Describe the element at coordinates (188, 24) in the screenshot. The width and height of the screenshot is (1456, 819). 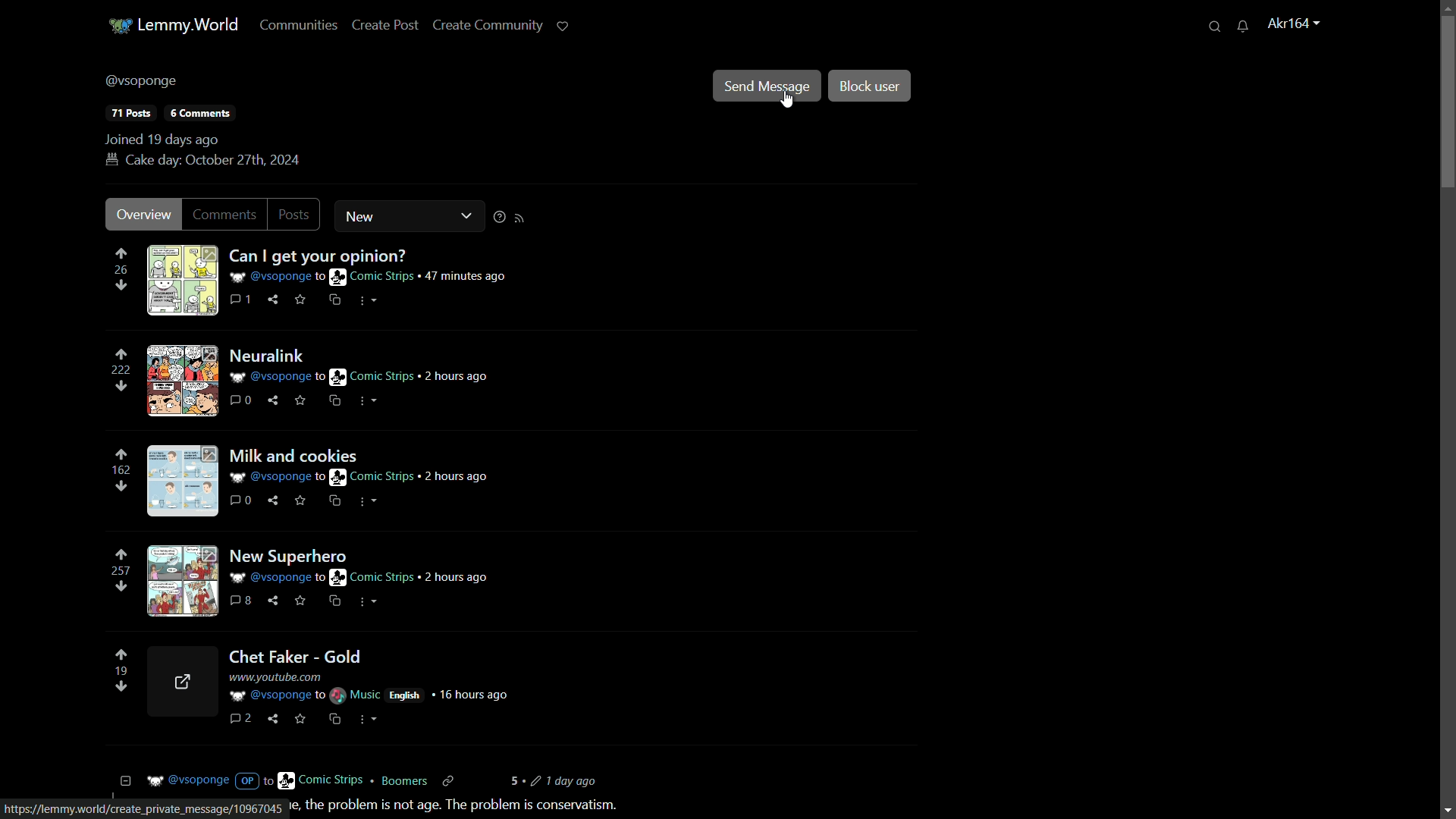
I see `lemmy.world` at that location.